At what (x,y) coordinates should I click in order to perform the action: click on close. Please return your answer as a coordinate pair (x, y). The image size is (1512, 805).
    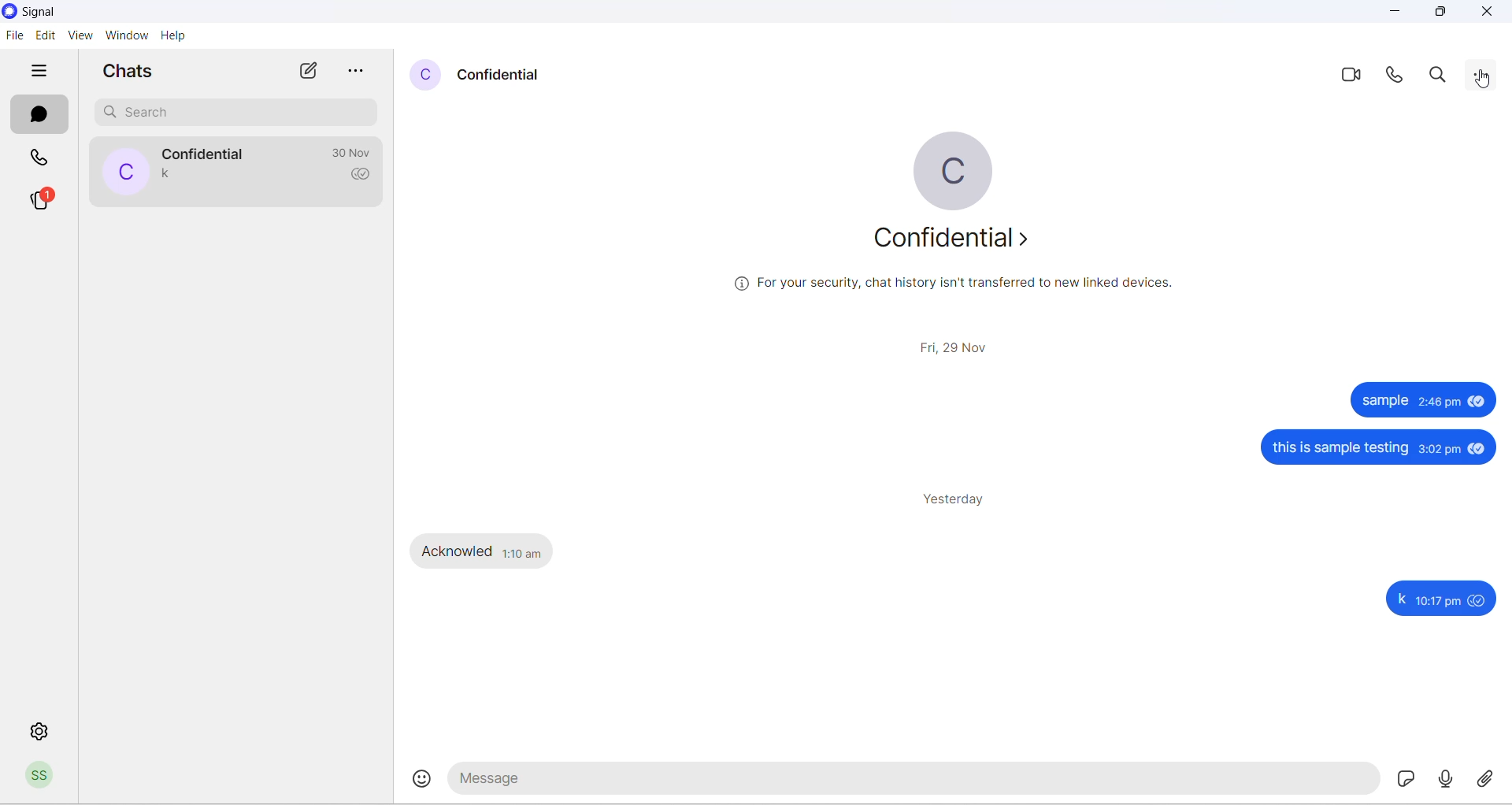
    Looking at the image, I should click on (1492, 13).